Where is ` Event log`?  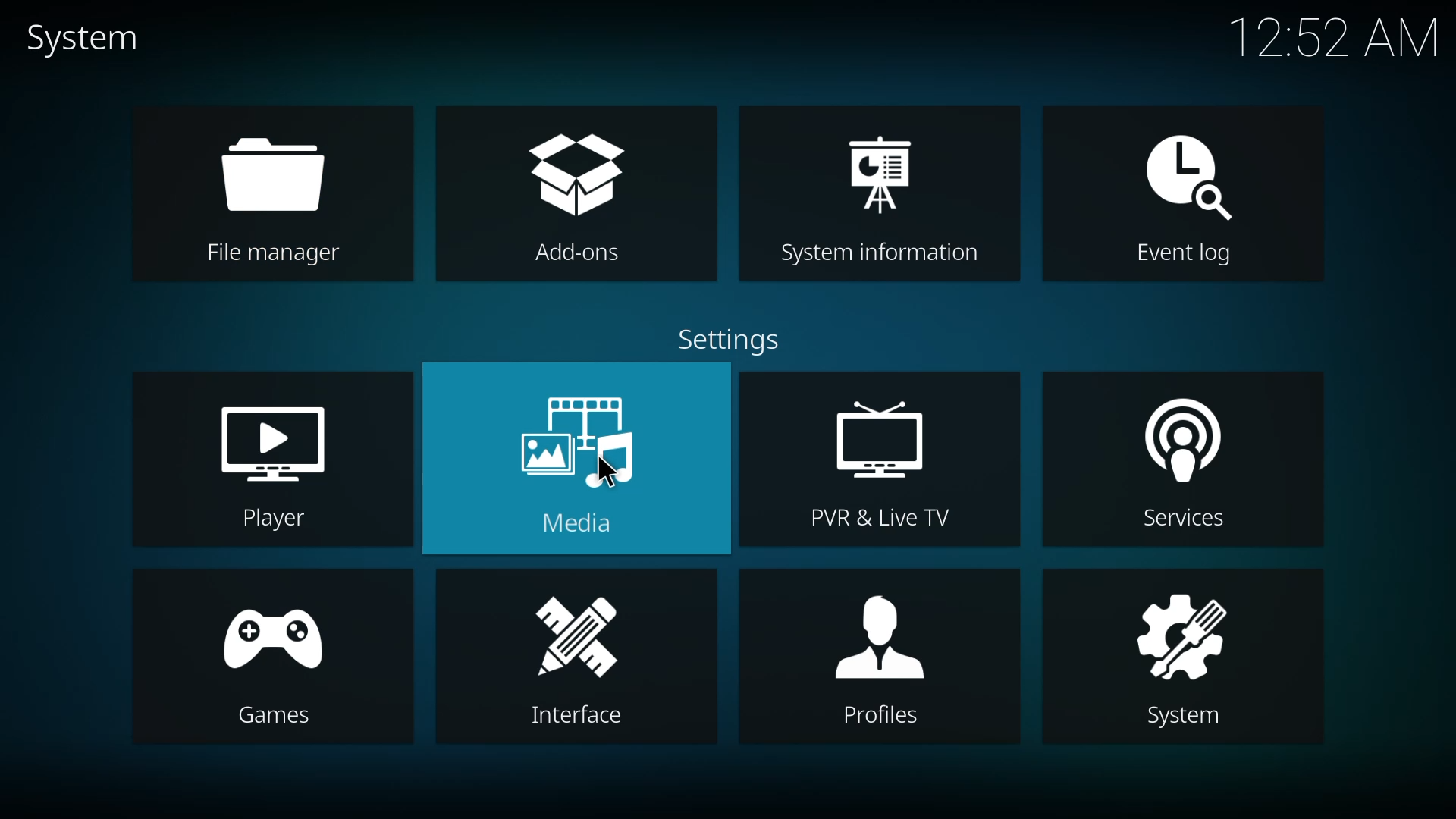  Event log is located at coordinates (1179, 255).